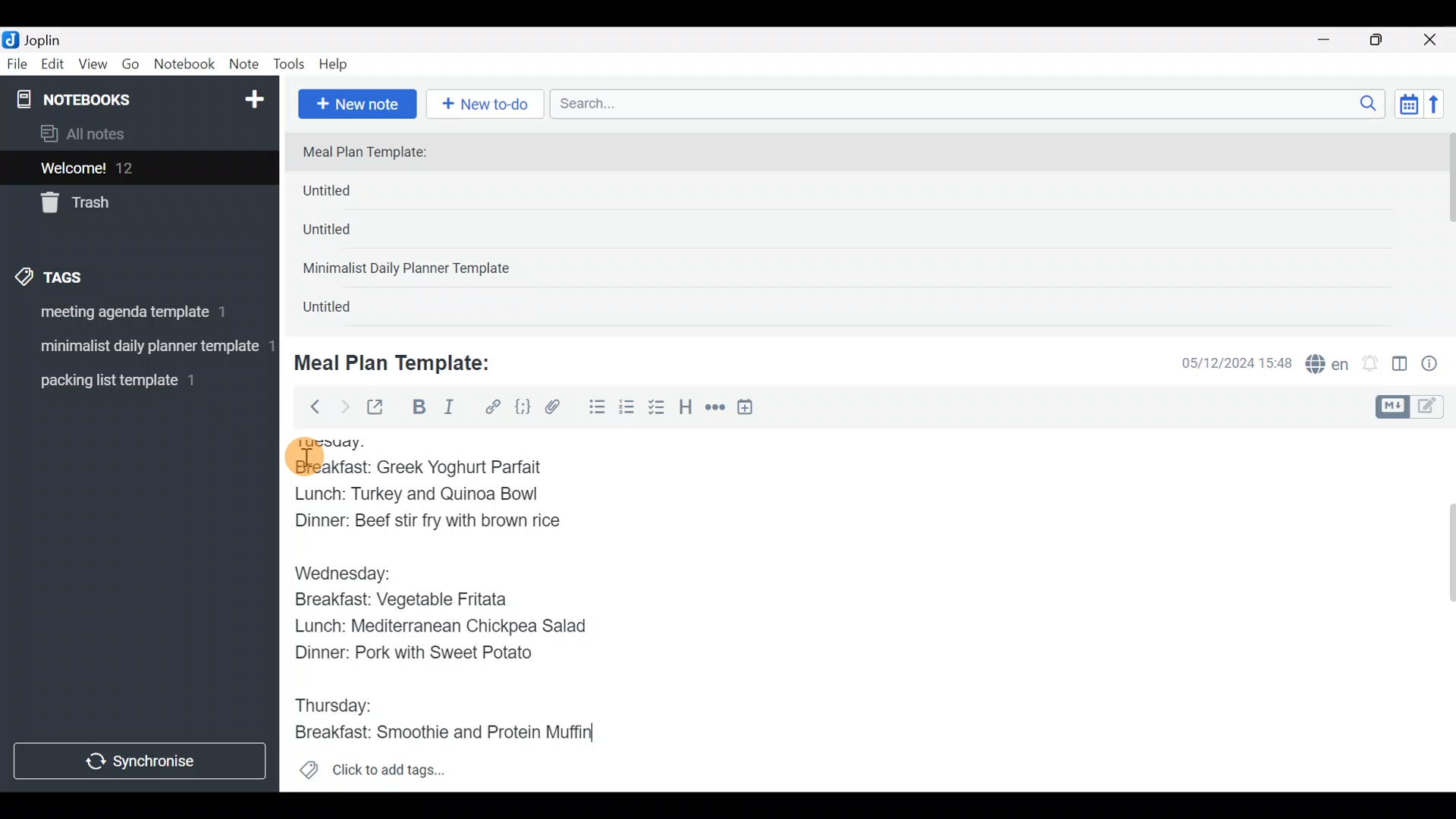  What do you see at coordinates (1436, 365) in the screenshot?
I see `Note properties` at bounding box center [1436, 365].